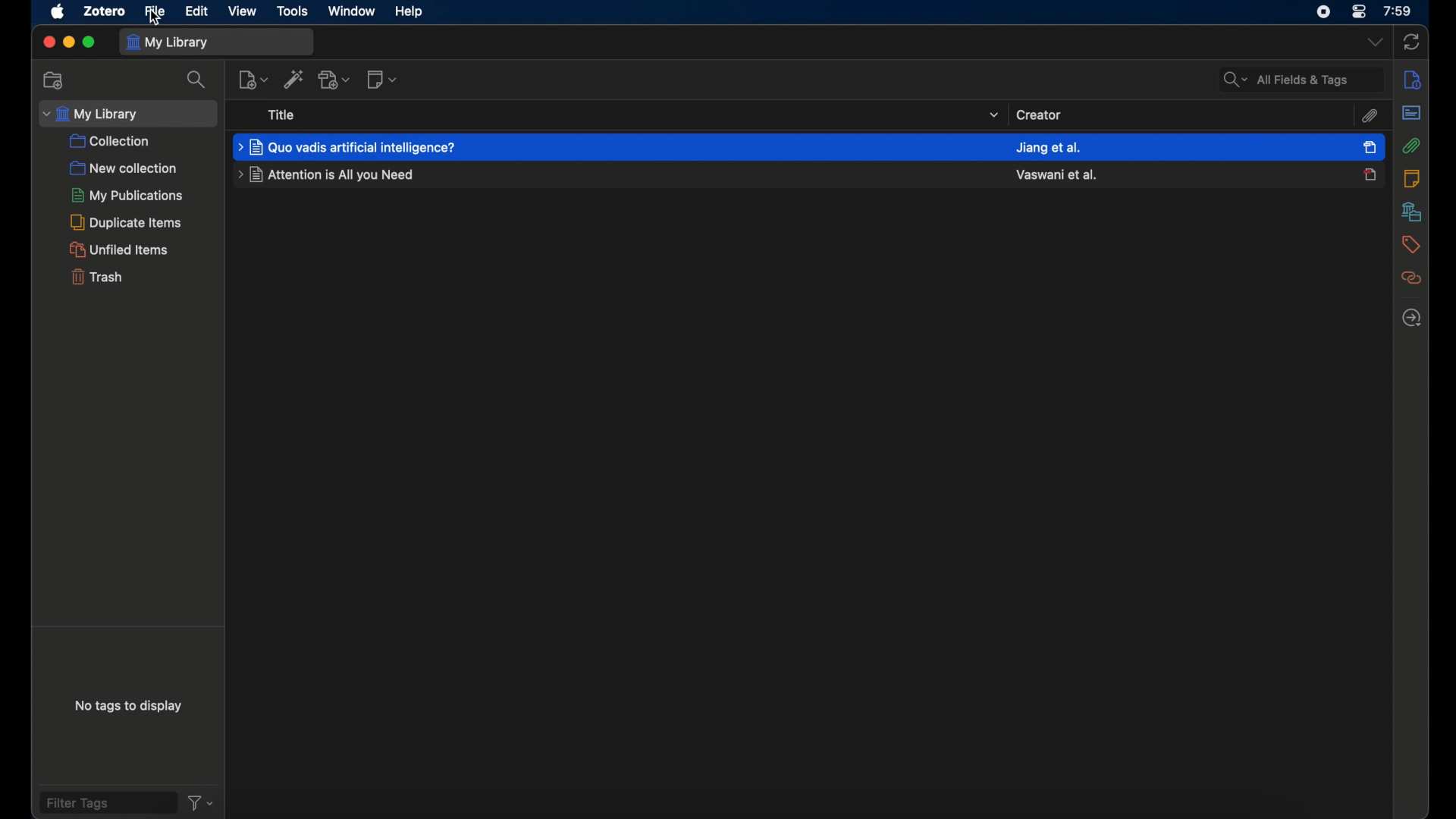 The height and width of the screenshot is (819, 1456). What do you see at coordinates (1301, 79) in the screenshot?
I see `all fields and tags` at bounding box center [1301, 79].